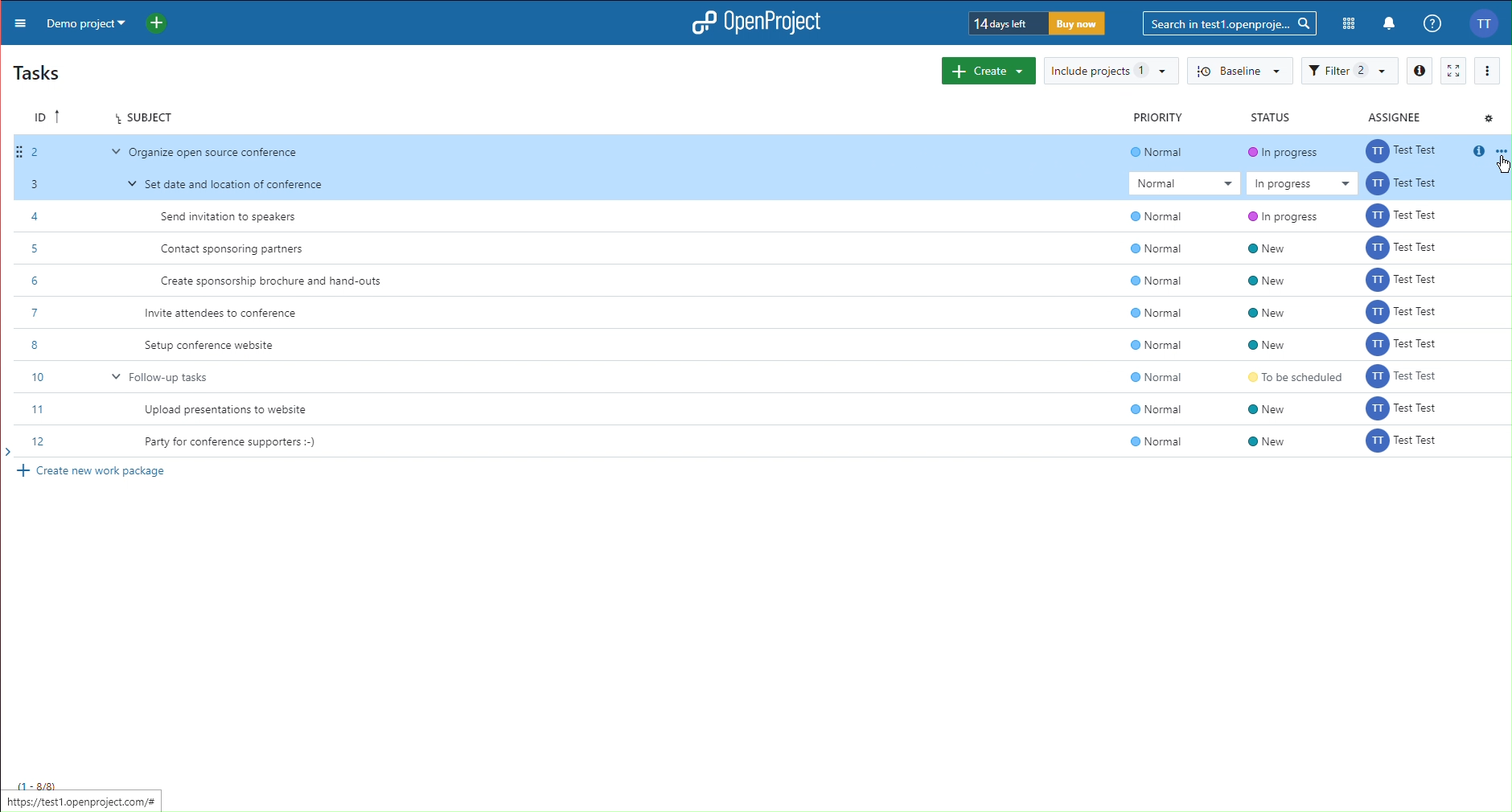 The height and width of the screenshot is (812, 1512). What do you see at coordinates (1431, 24) in the screenshot?
I see `Help` at bounding box center [1431, 24].